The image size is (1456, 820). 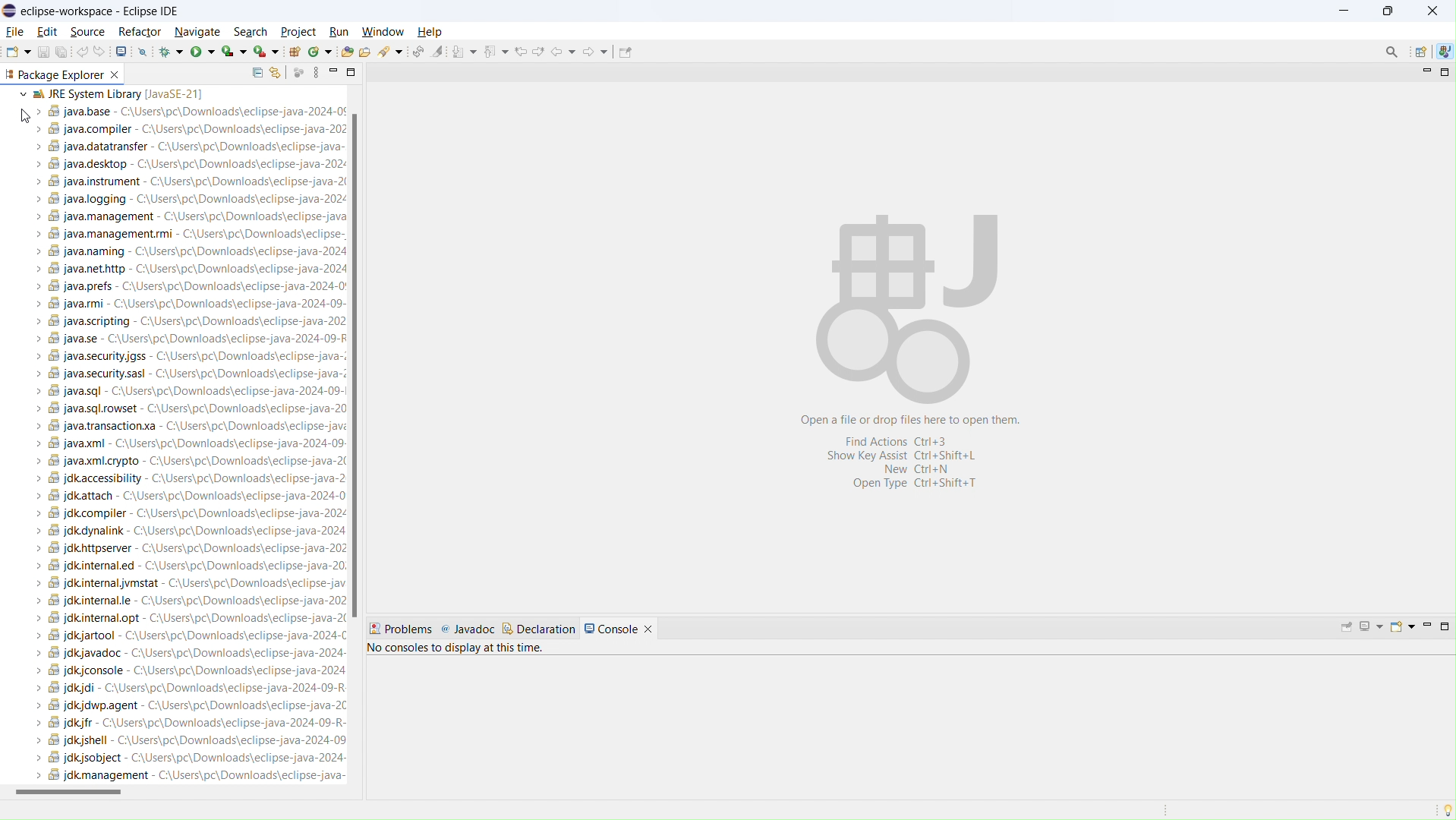 What do you see at coordinates (539, 629) in the screenshot?
I see `declaration` at bounding box center [539, 629].